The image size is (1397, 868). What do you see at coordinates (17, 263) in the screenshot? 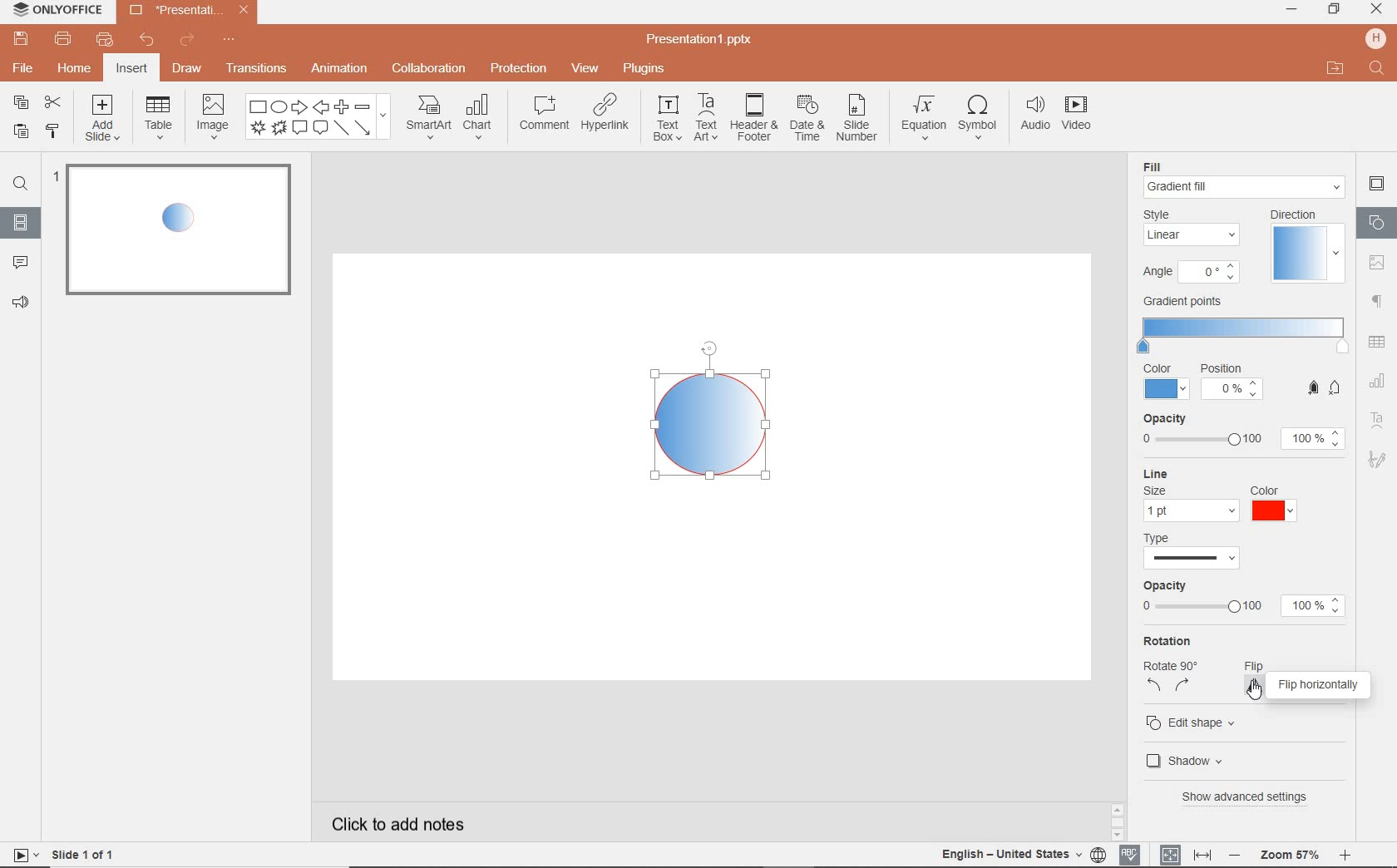
I see `comment` at bounding box center [17, 263].